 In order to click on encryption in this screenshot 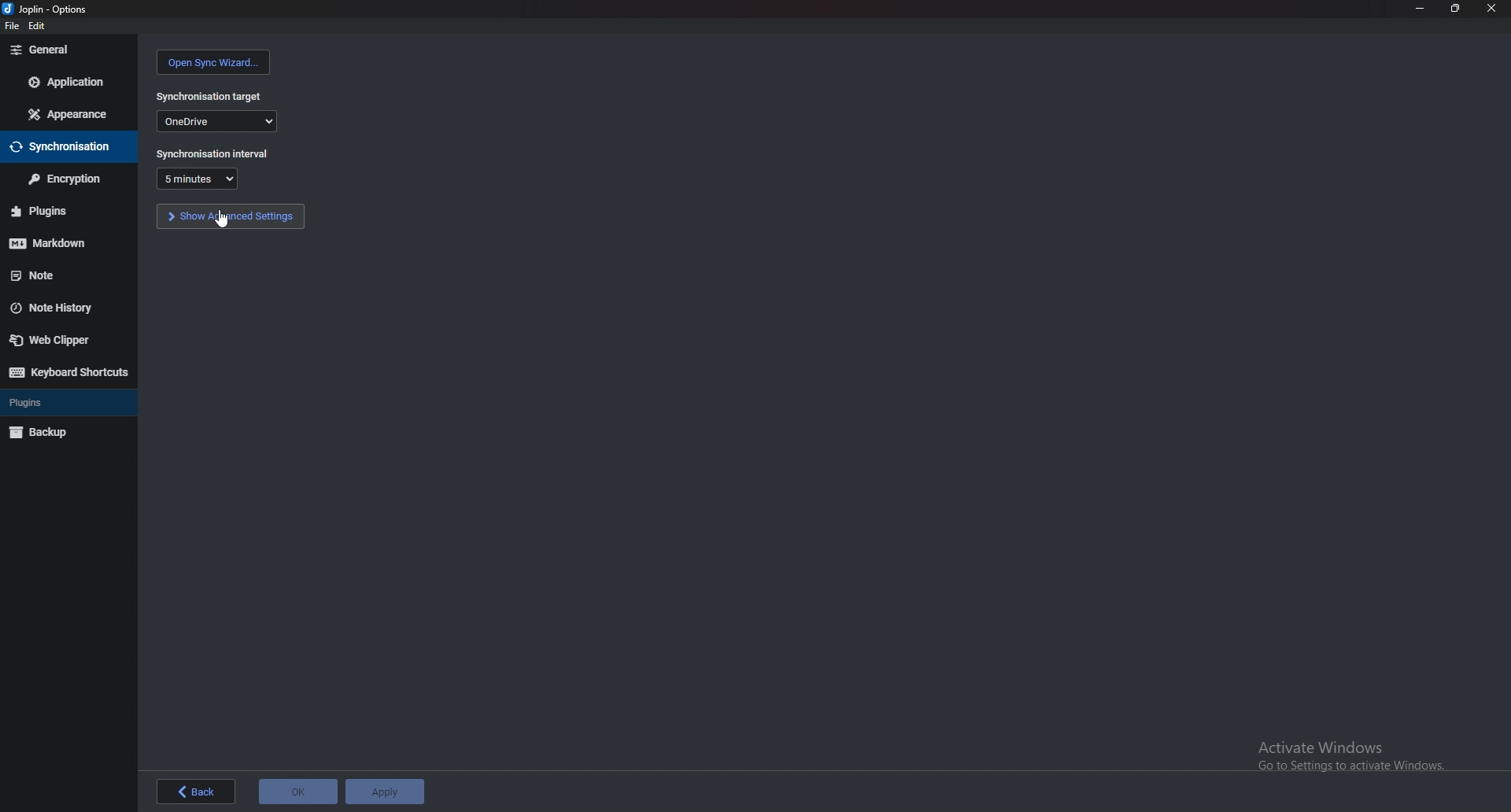, I will do `click(68, 178)`.